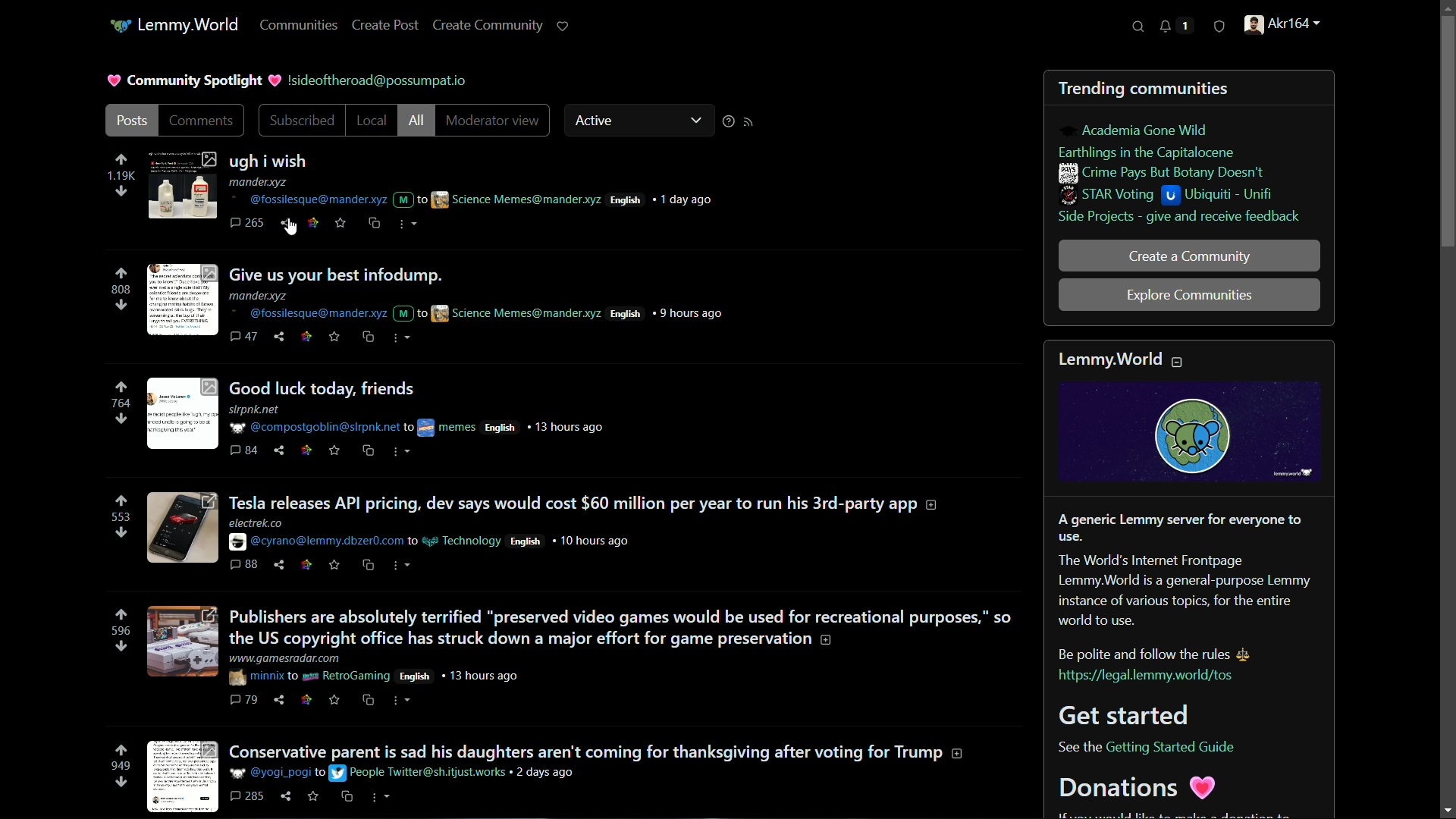 This screenshot has width=1456, height=819. What do you see at coordinates (401, 700) in the screenshot?
I see `more actions` at bounding box center [401, 700].